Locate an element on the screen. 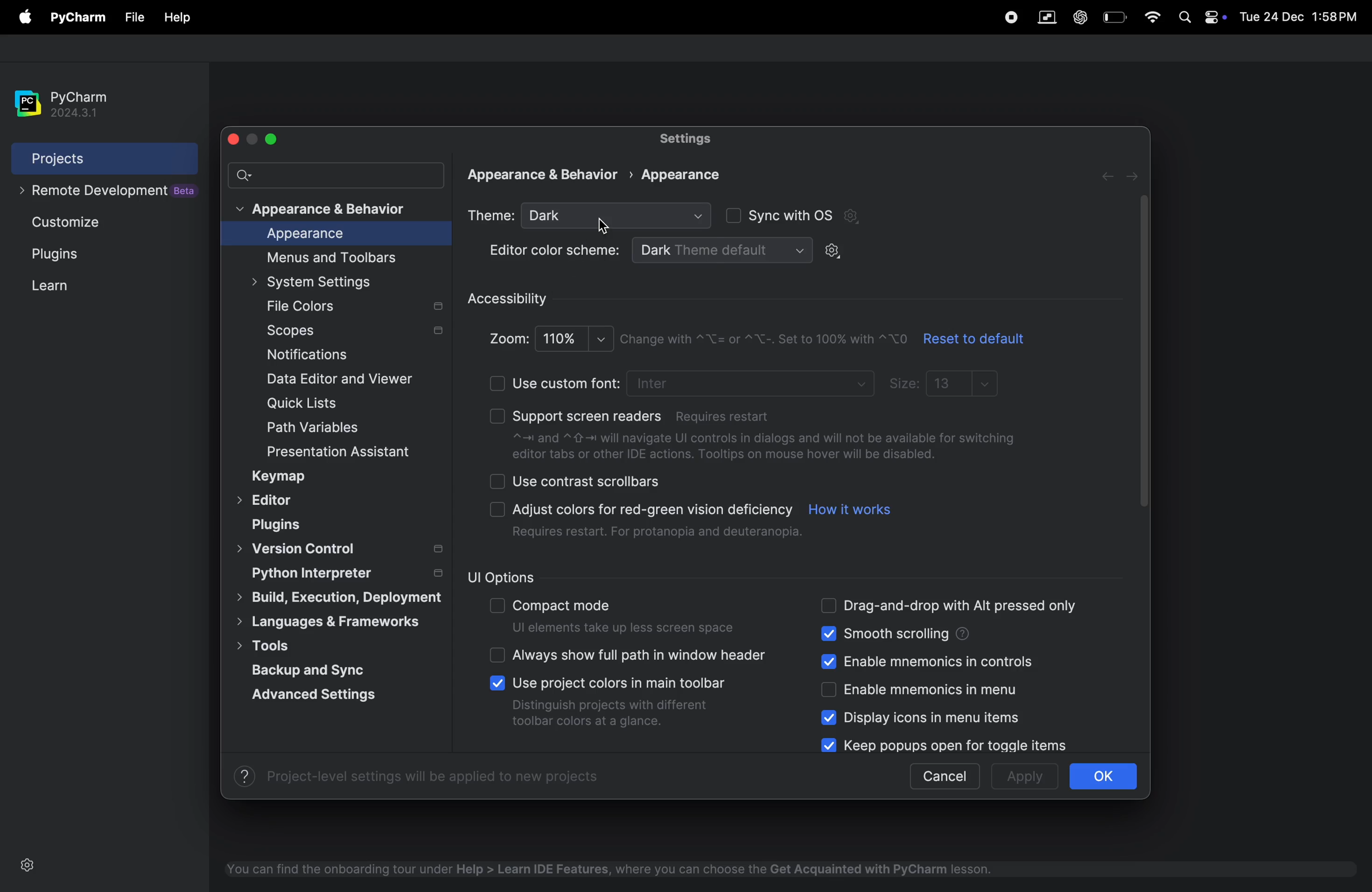  search is located at coordinates (337, 176).